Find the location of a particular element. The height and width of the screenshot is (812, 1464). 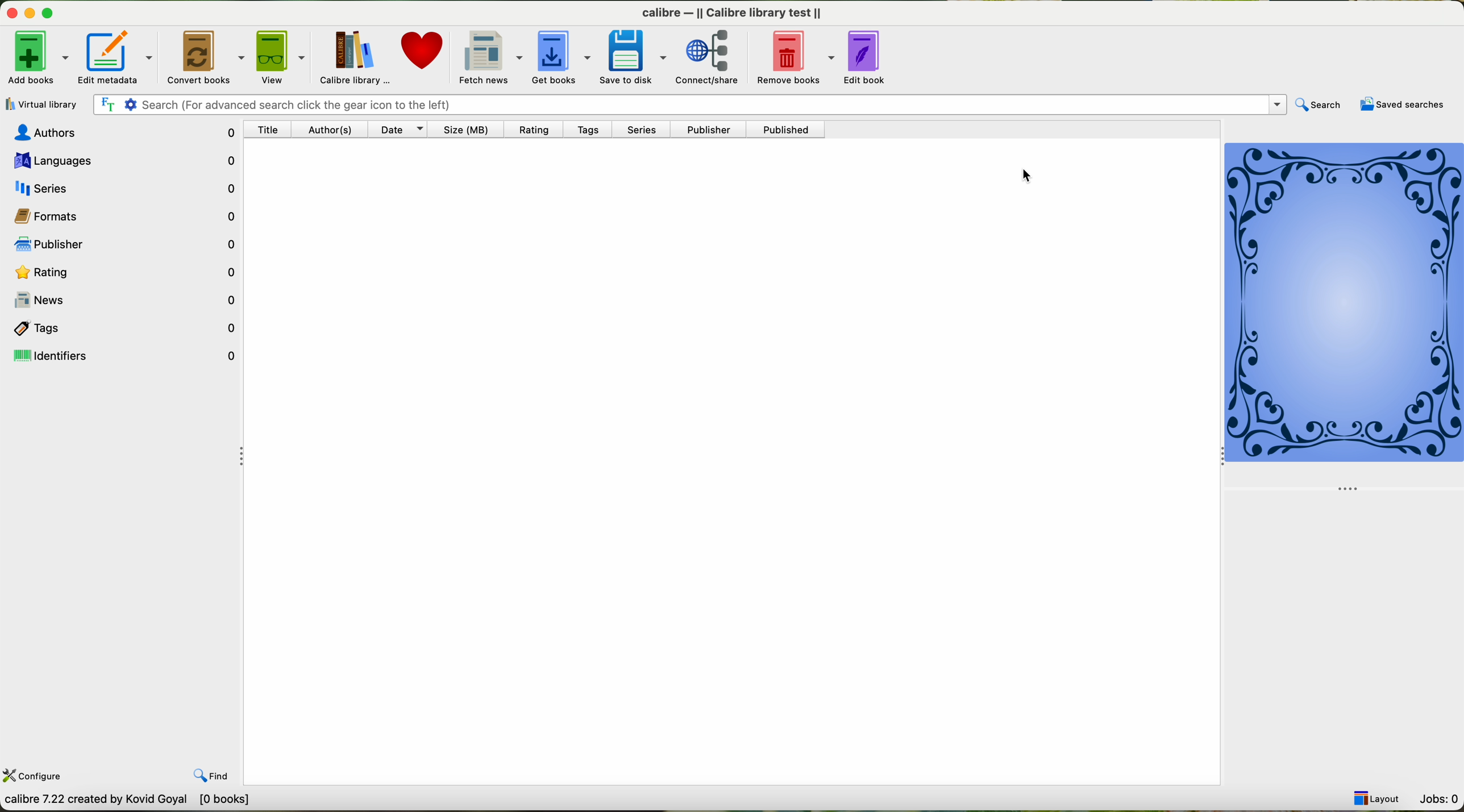

edit metadata is located at coordinates (120, 57).